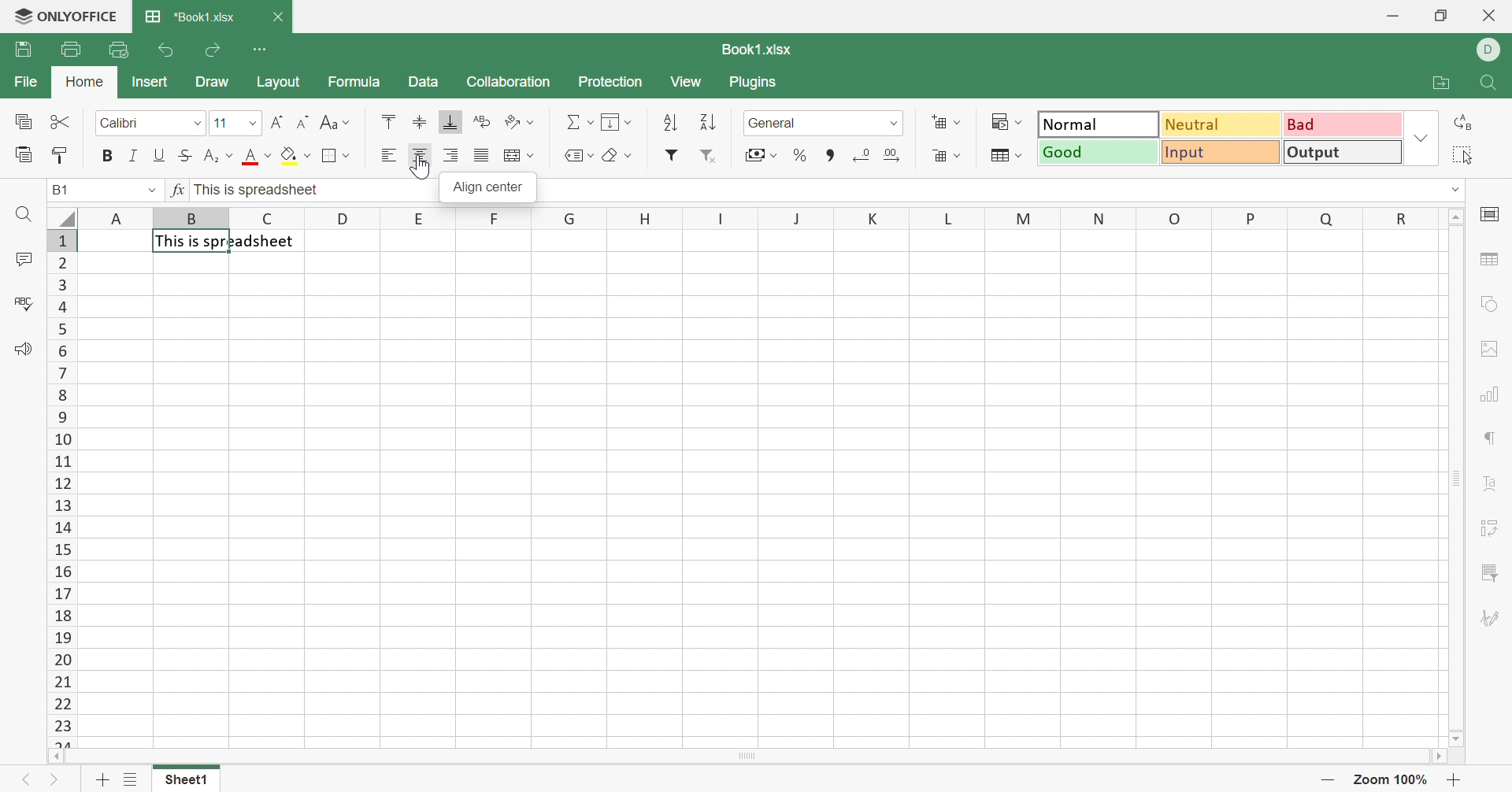 This screenshot has height=792, width=1512. I want to click on Restore Down, so click(1444, 17).